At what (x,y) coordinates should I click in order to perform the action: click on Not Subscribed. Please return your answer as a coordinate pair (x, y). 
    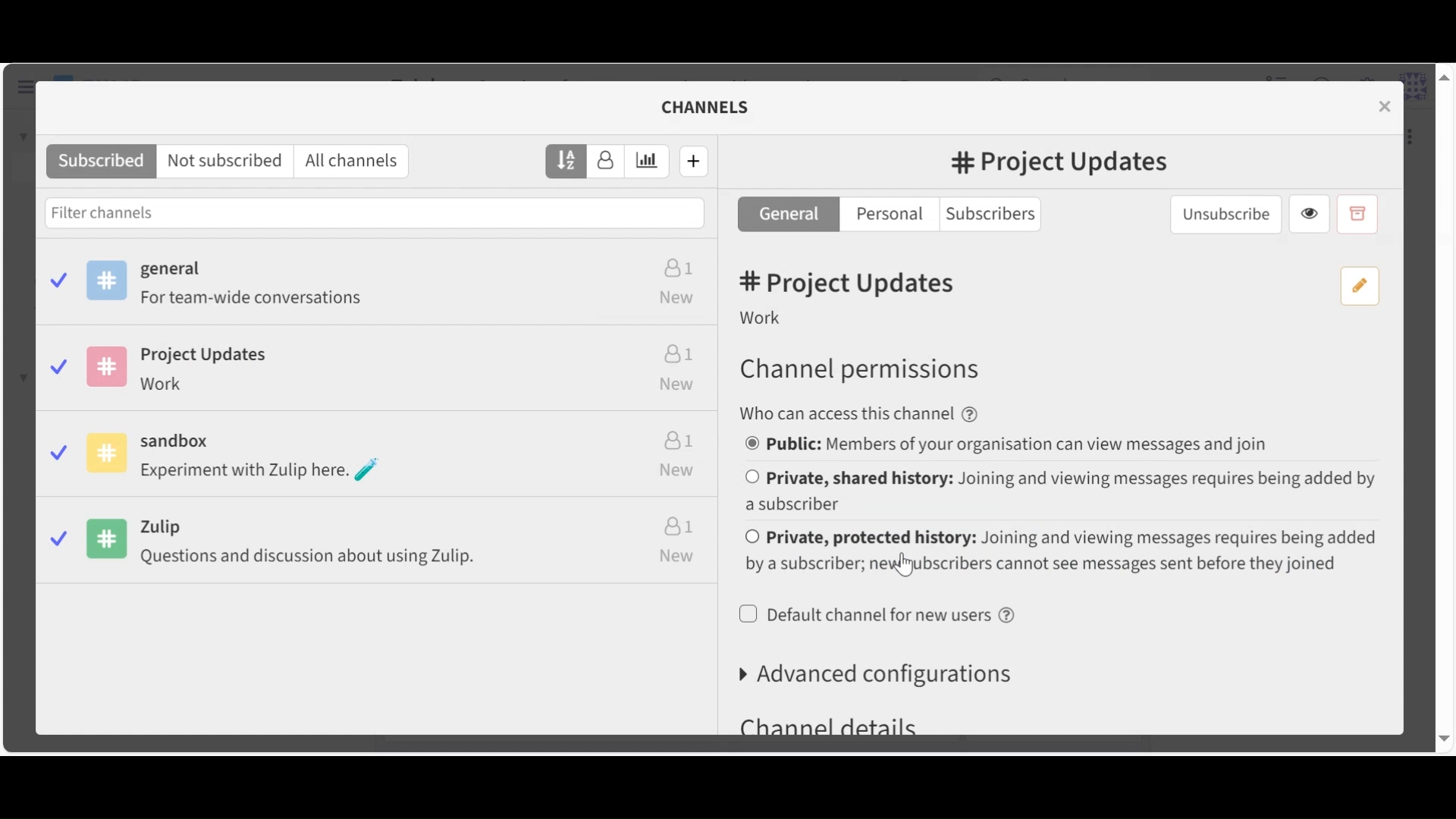
    Looking at the image, I should click on (233, 160).